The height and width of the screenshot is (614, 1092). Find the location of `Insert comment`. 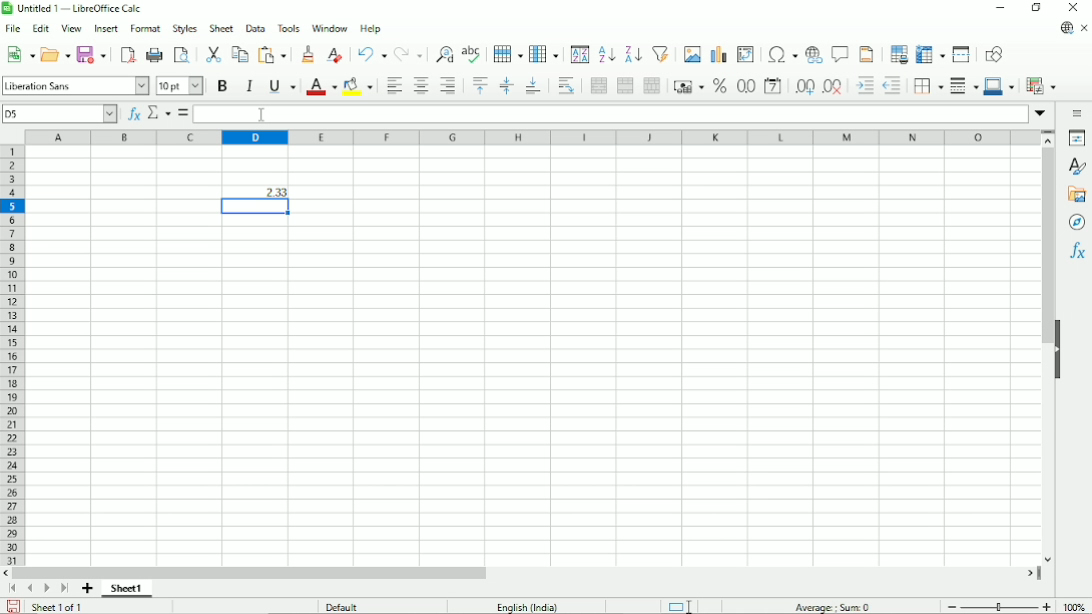

Insert comment is located at coordinates (841, 53).